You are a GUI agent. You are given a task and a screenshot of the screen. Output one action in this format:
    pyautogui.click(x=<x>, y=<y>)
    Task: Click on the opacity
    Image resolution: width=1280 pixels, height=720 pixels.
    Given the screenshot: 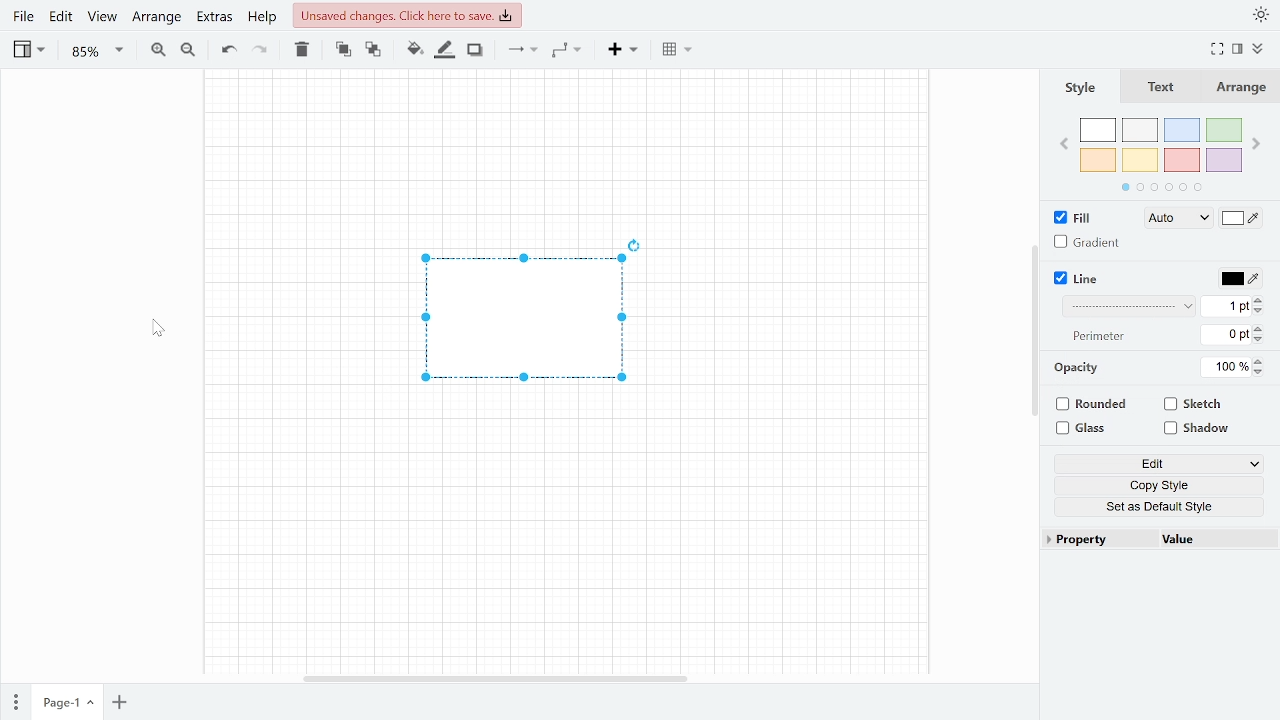 What is the action you would take?
    pyautogui.click(x=1077, y=370)
    